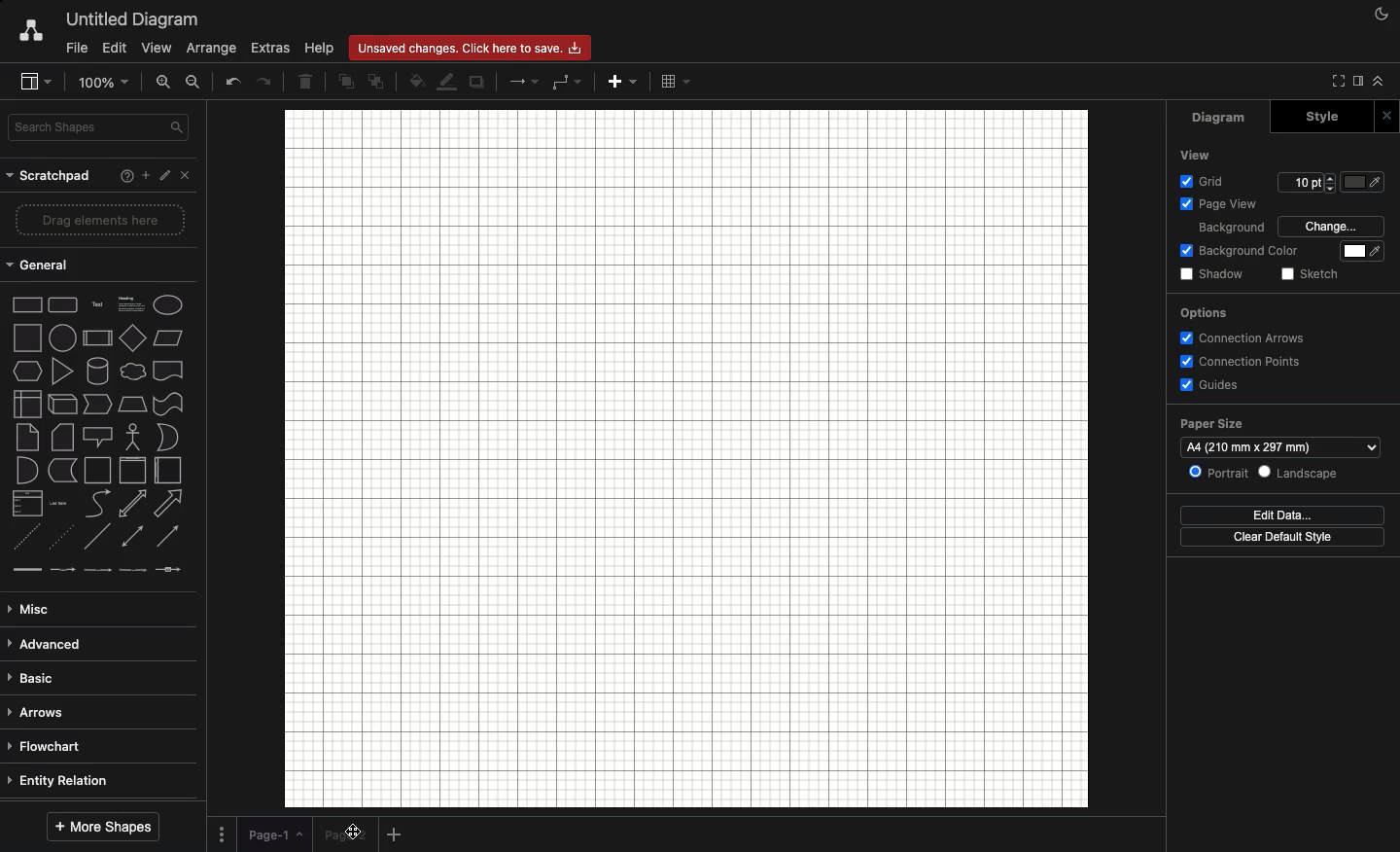  What do you see at coordinates (1384, 15) in the screenshot?
I see `Night shift` at bounding box center [1384, 15].